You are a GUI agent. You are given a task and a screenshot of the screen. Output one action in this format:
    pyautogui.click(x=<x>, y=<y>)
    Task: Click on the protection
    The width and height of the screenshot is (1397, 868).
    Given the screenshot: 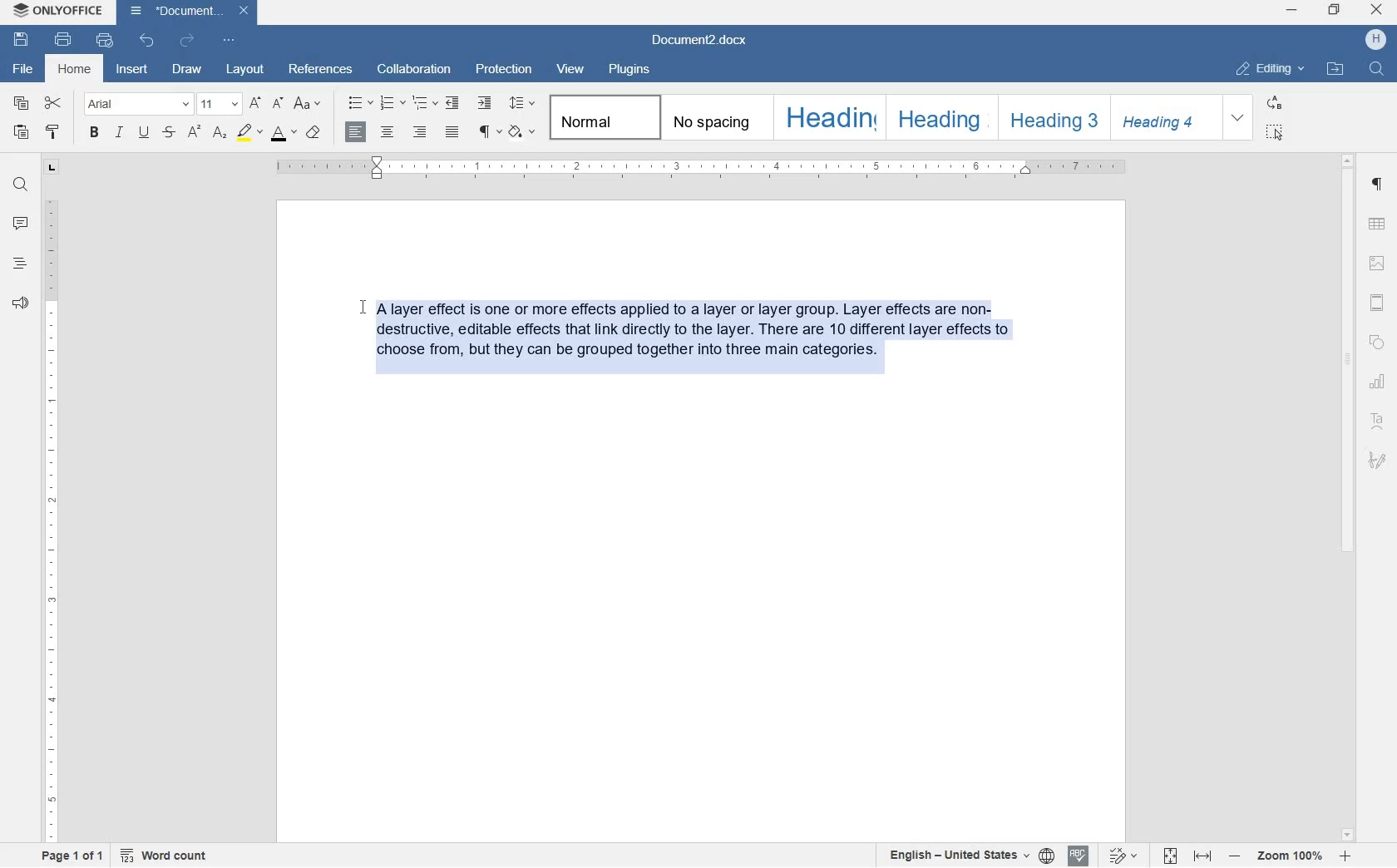 What is the action you would take?
    pyautogui.click(x=501, y=71)
    